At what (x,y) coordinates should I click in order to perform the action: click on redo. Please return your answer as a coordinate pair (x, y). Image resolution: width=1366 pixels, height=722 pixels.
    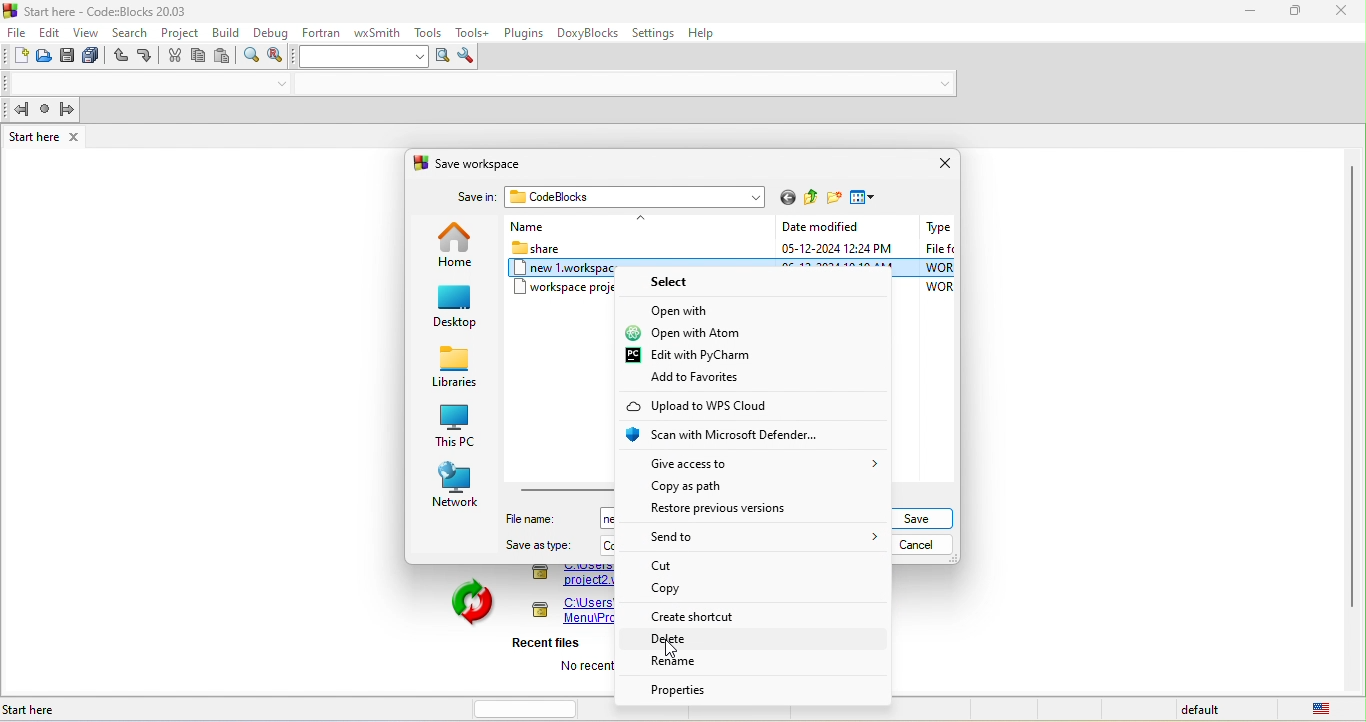
    Looking at the image, I should click on (147, 56).